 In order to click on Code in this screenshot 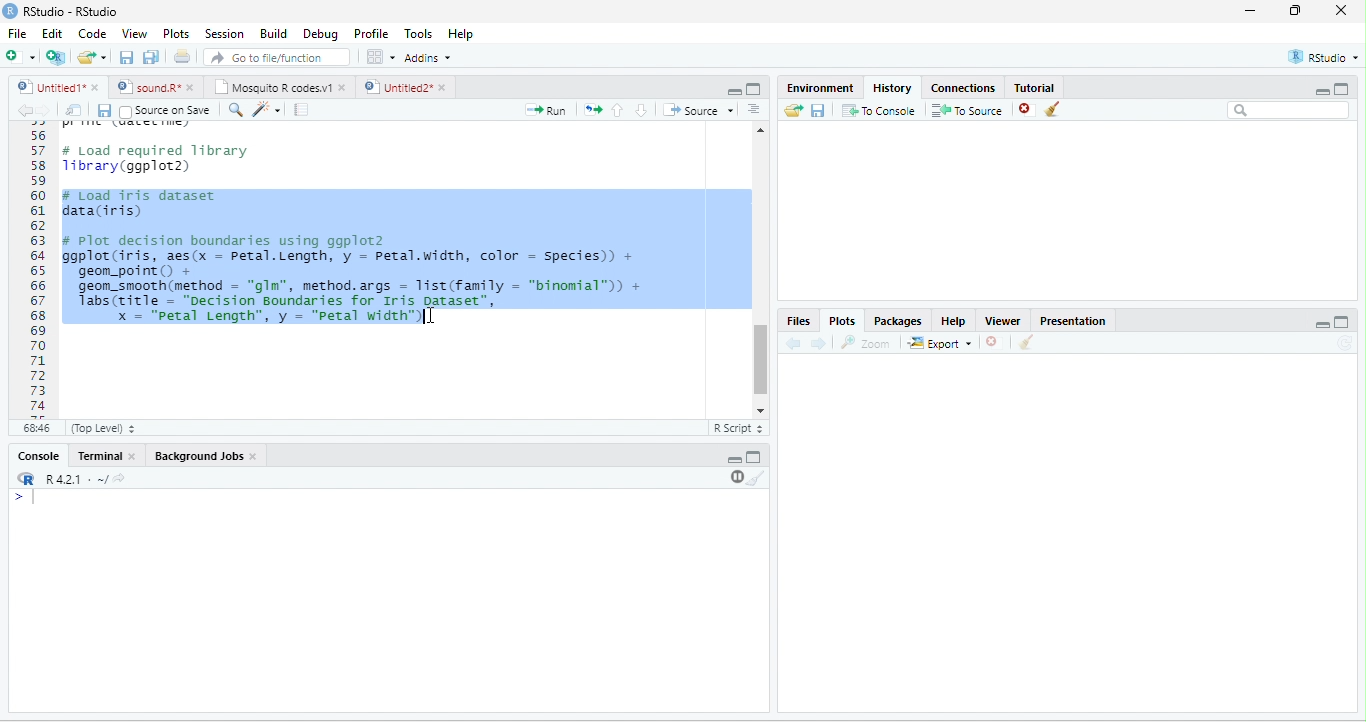, I will do `click(92, 33)`.